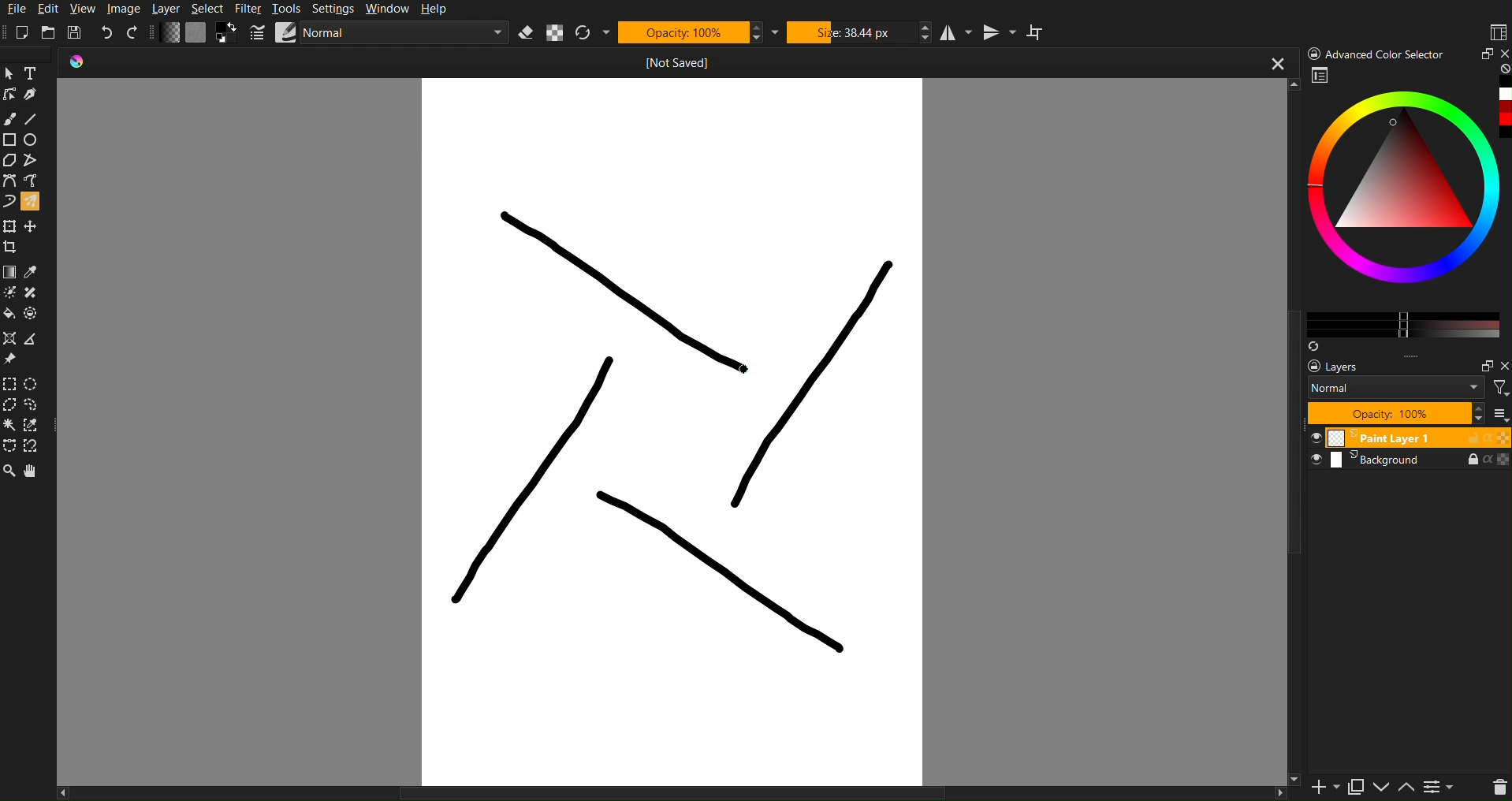 The width and height of the screenshot is (1512, 801). Describe the element at coordinates (1424, 356) in the screenshot. I see `more` at that location.